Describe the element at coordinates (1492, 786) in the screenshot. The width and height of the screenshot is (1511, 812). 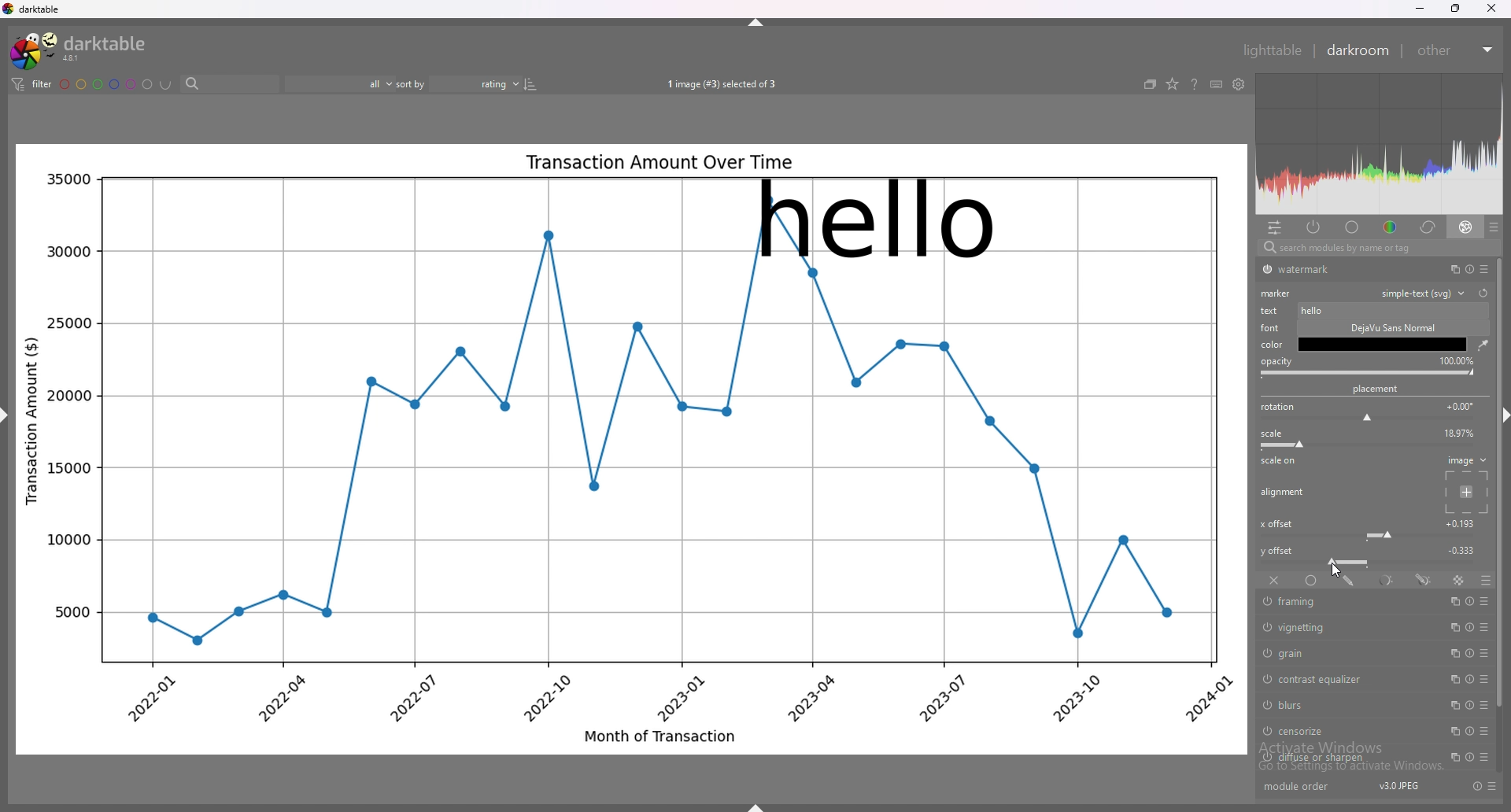
I see `presets` at that location.